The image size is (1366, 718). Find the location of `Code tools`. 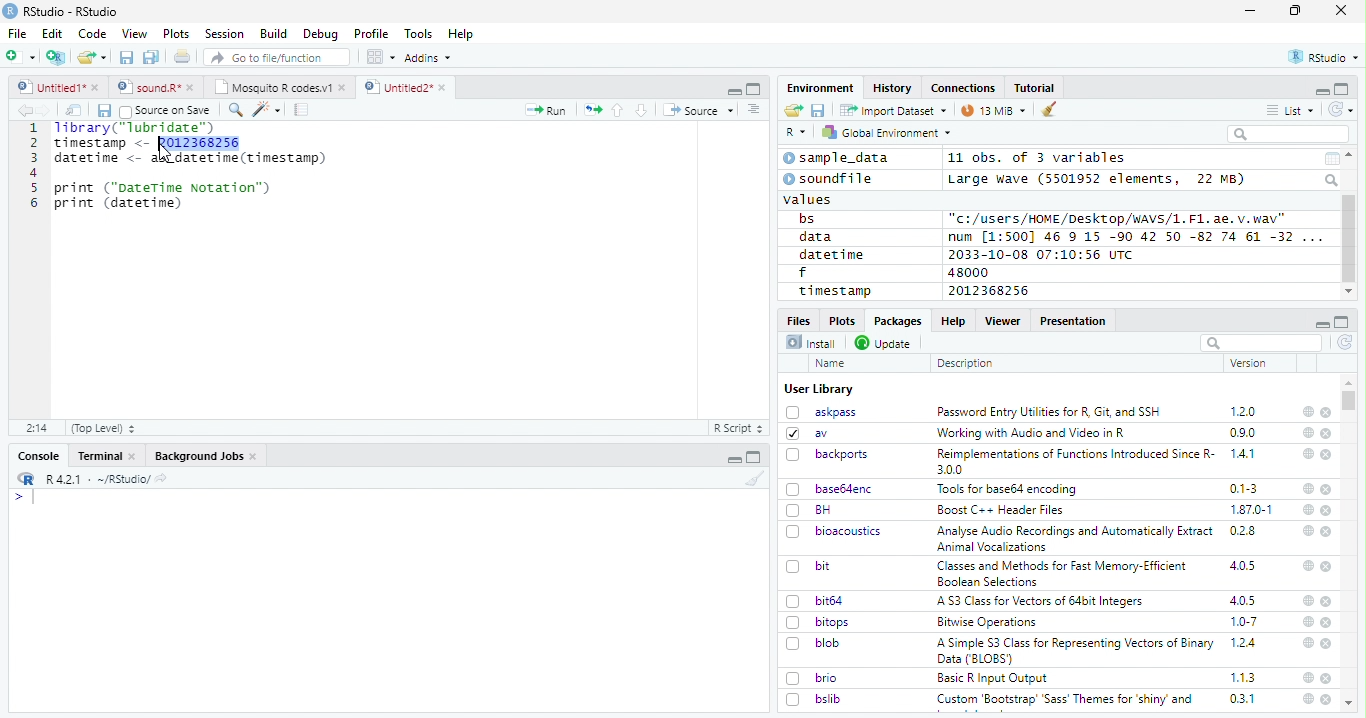

Code tools is located at coordinates (265, 109).